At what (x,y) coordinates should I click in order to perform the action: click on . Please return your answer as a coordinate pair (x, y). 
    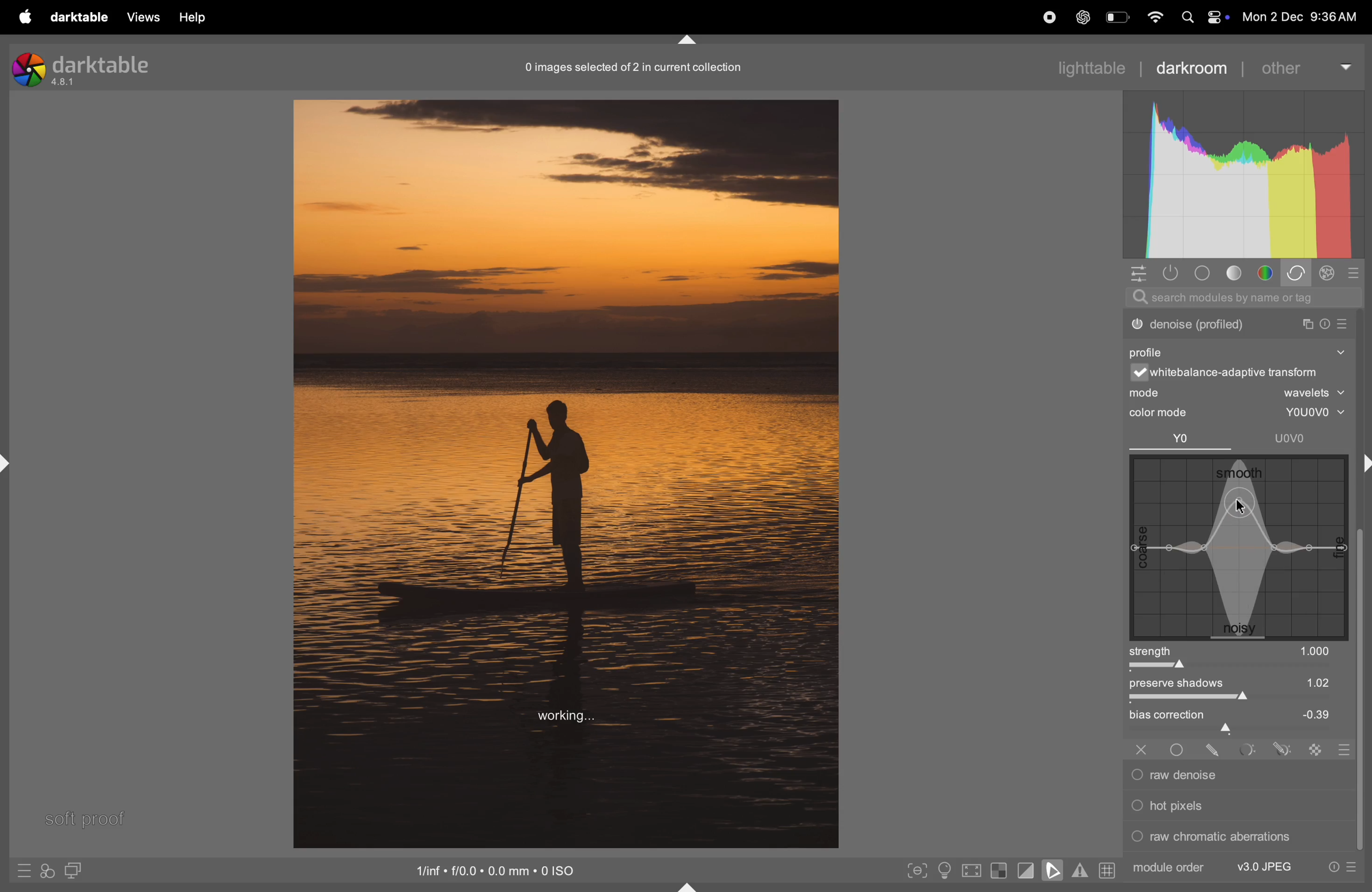
    Looking at the image, I should click on (1246, 749).